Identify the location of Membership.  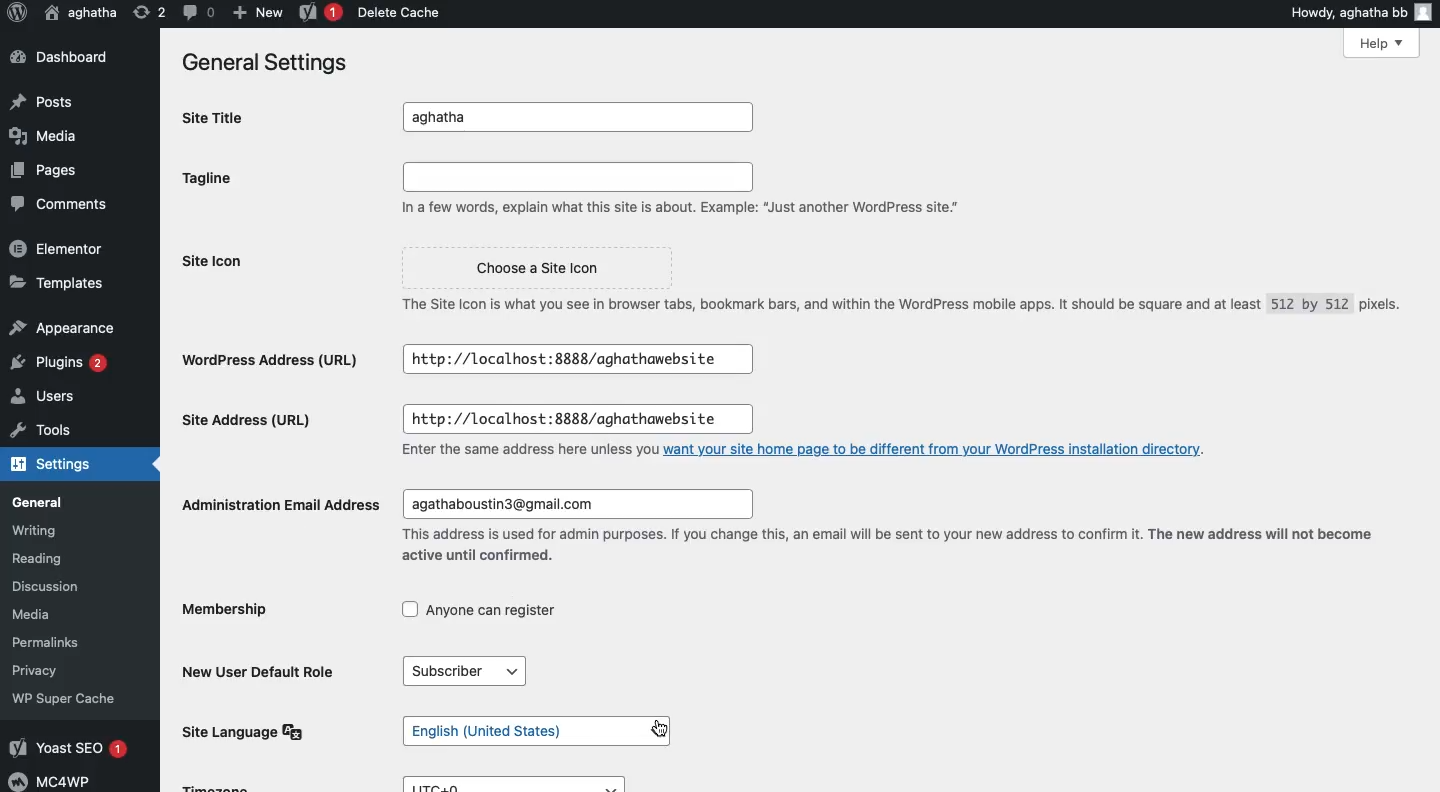
(229, 613).